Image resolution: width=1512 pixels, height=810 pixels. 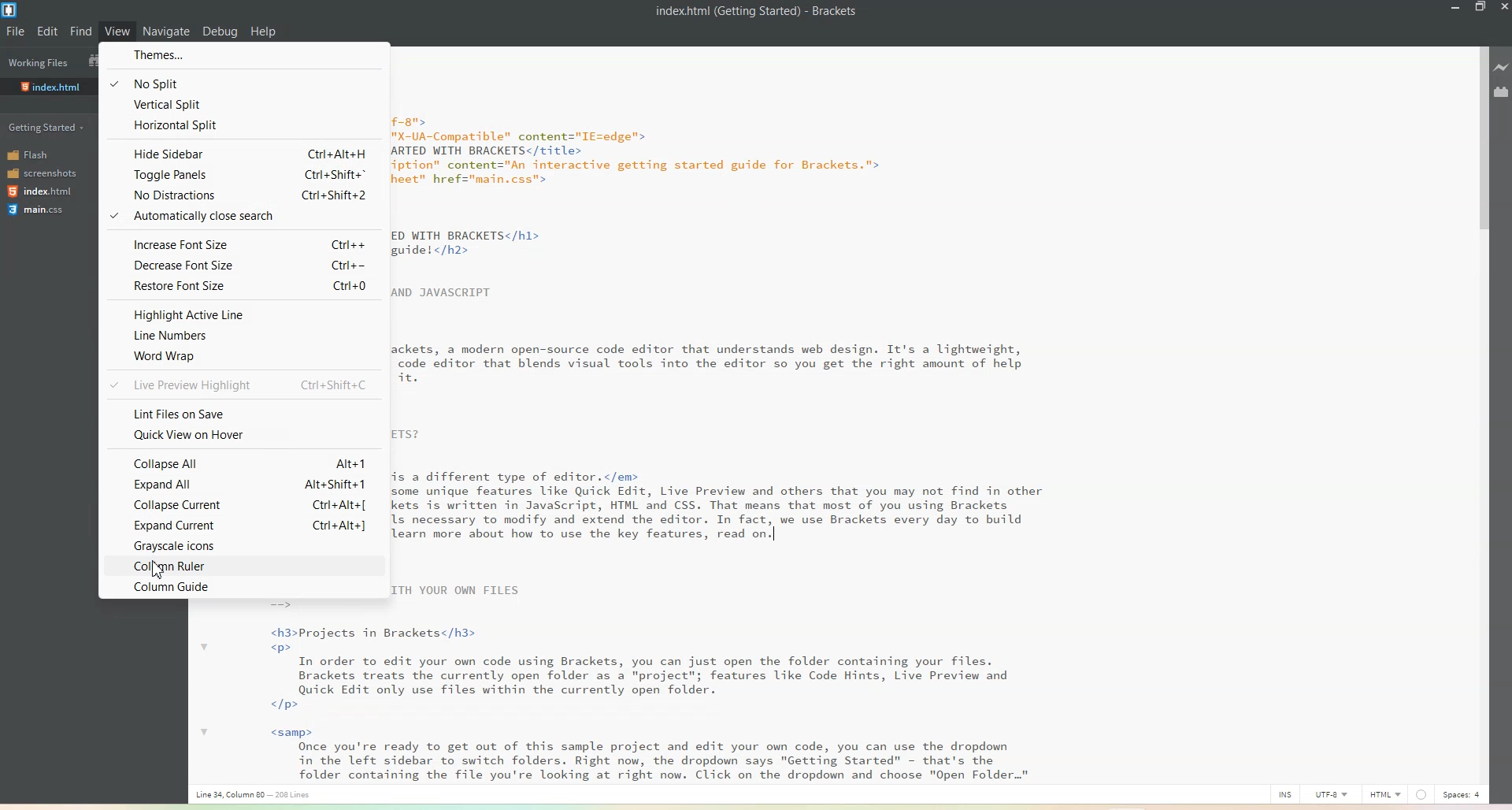 What do you see at coordinates (41, 63) in the screenshot?
I see `Working Files` at bounding box center [41, 63].